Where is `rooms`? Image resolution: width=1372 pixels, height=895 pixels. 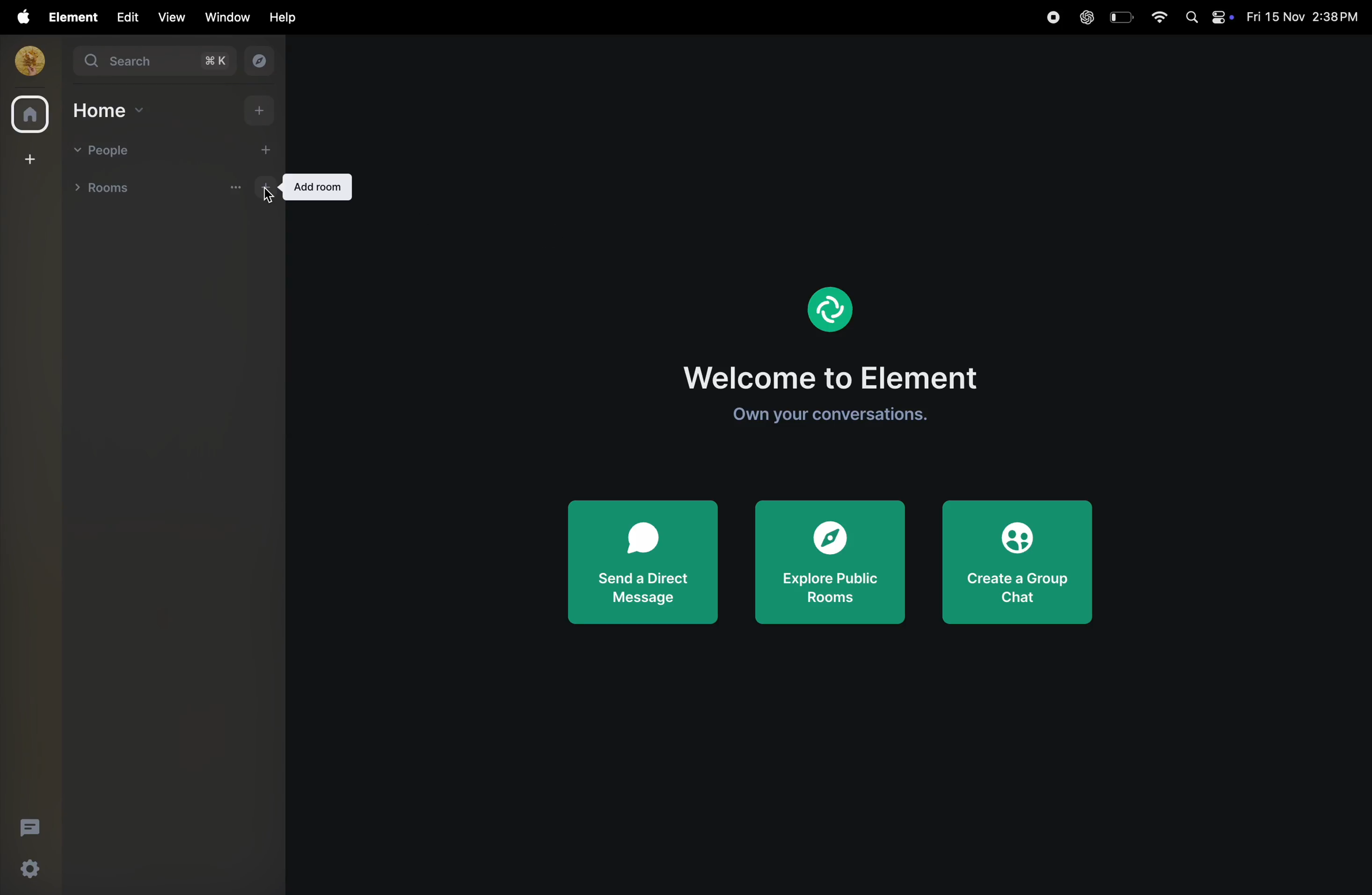 rooms is located at coordinates (107, 186).